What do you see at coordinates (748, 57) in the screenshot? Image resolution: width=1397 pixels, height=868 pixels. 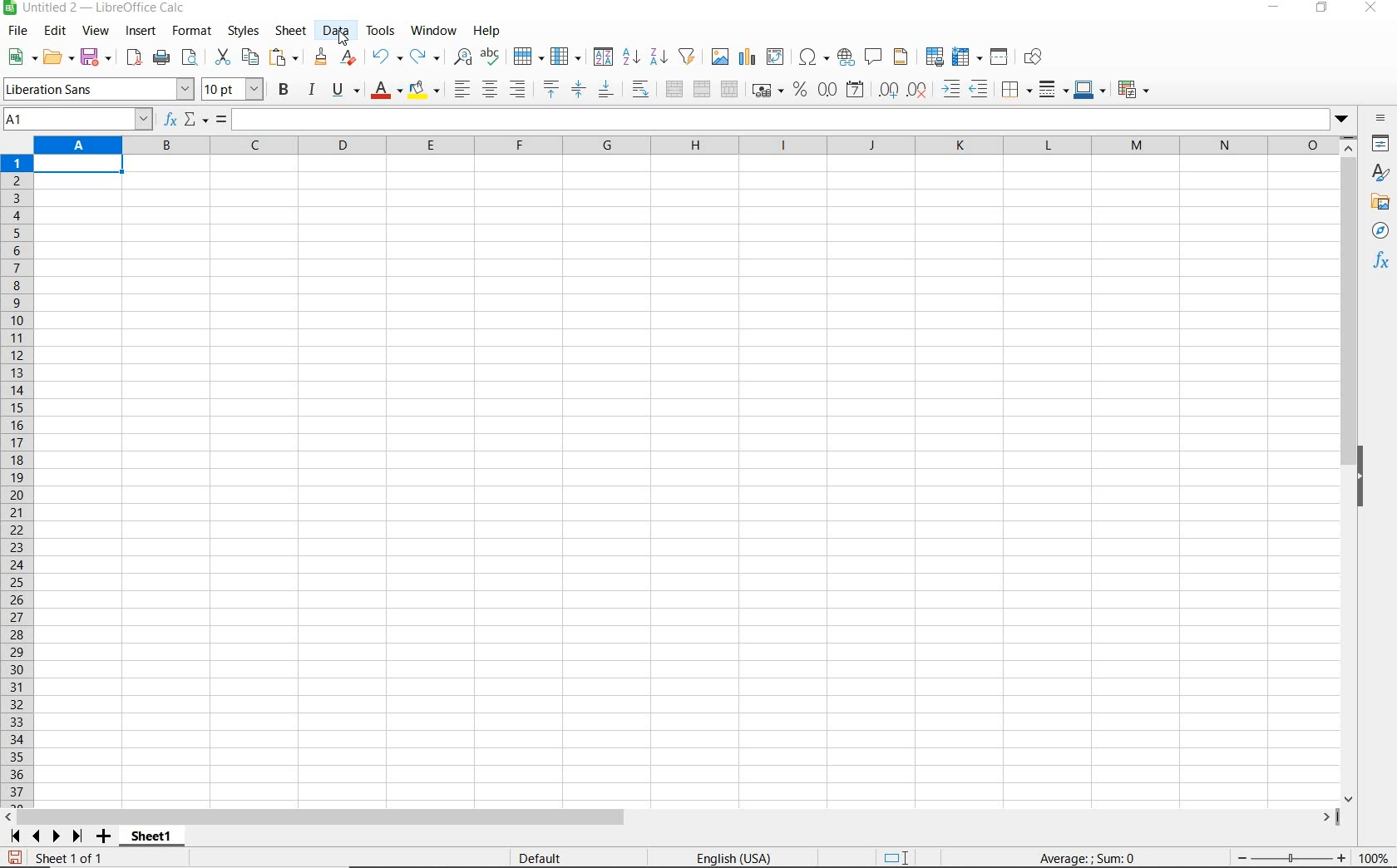 I see `insert chart` at bounding box center [748, 57].